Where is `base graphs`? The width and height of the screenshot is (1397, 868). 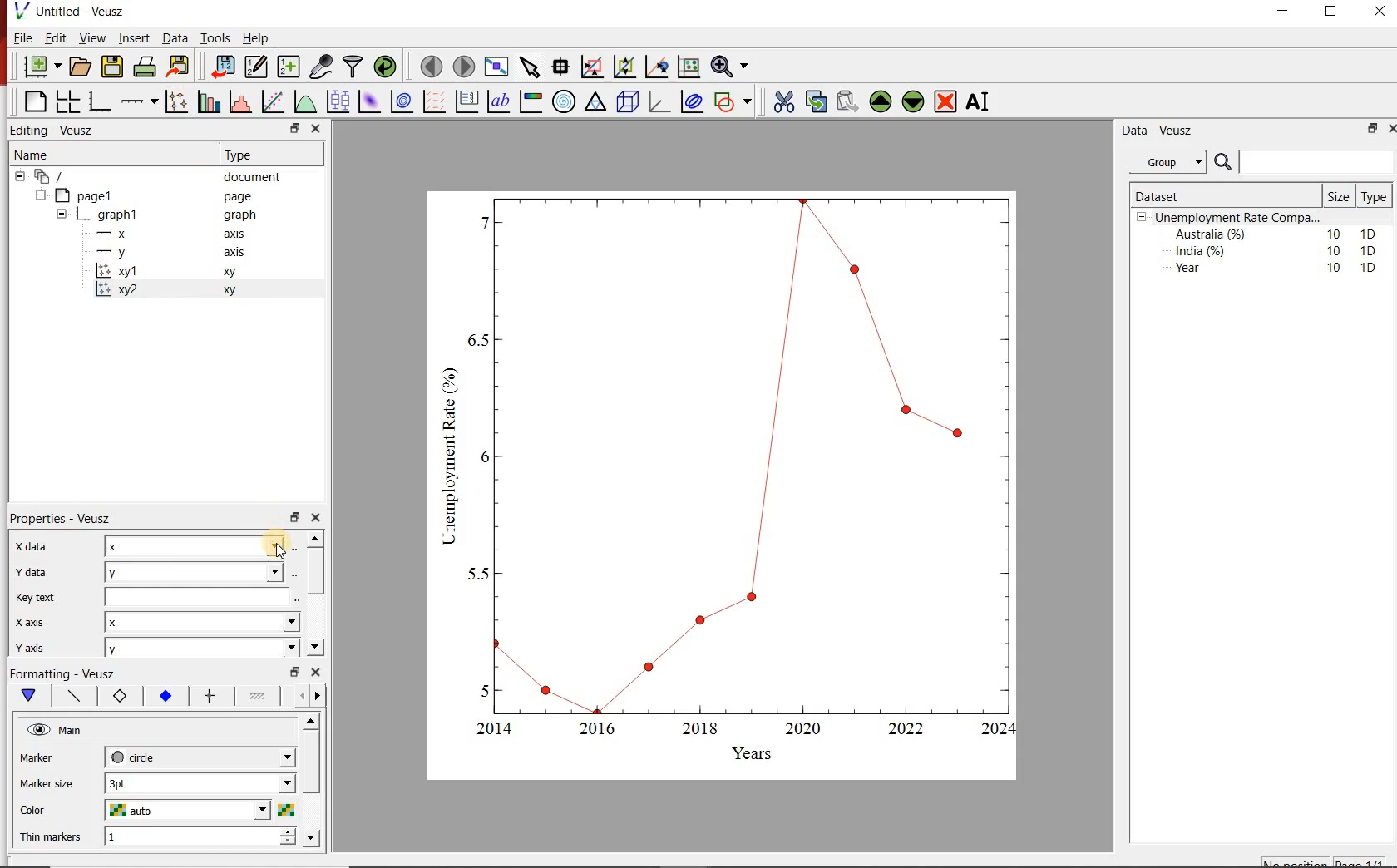
base graphs is located at coordinates (101, 101).